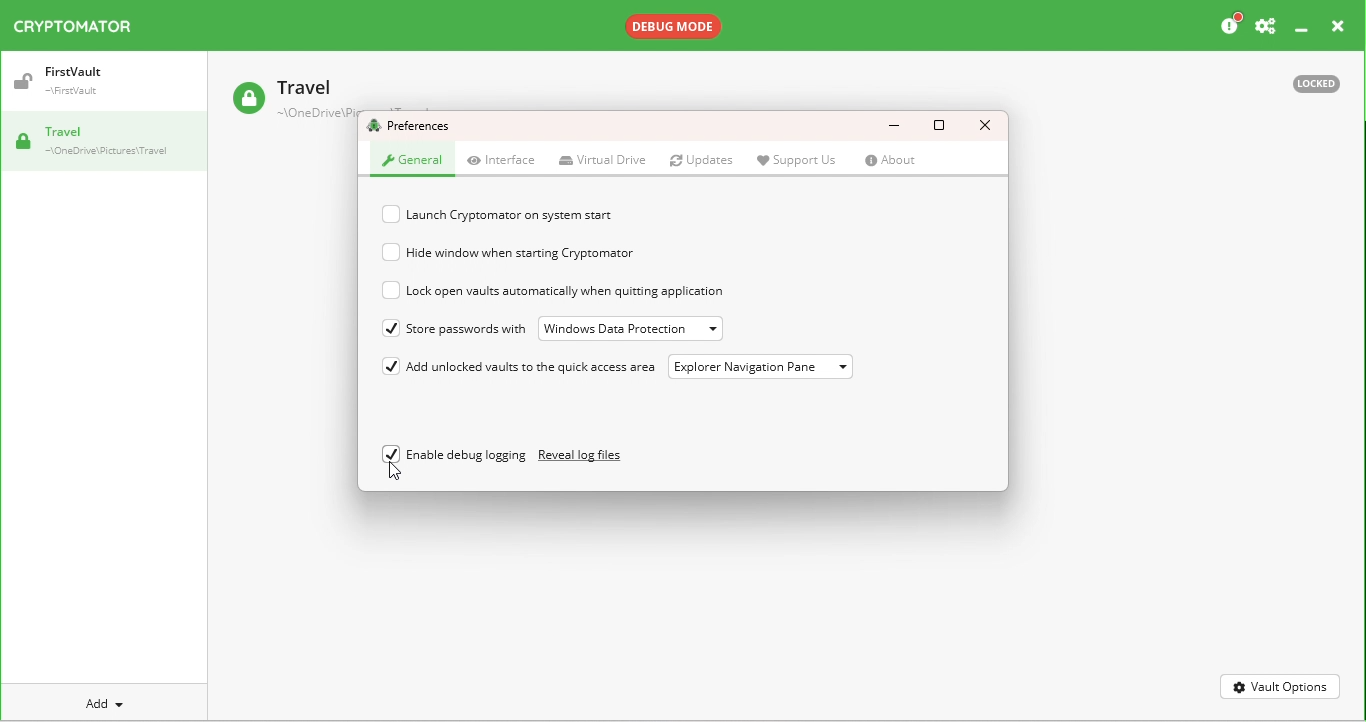 The height and width of the screenshot is (722, 1366). I want to click on Preferences, so click(414, 127).